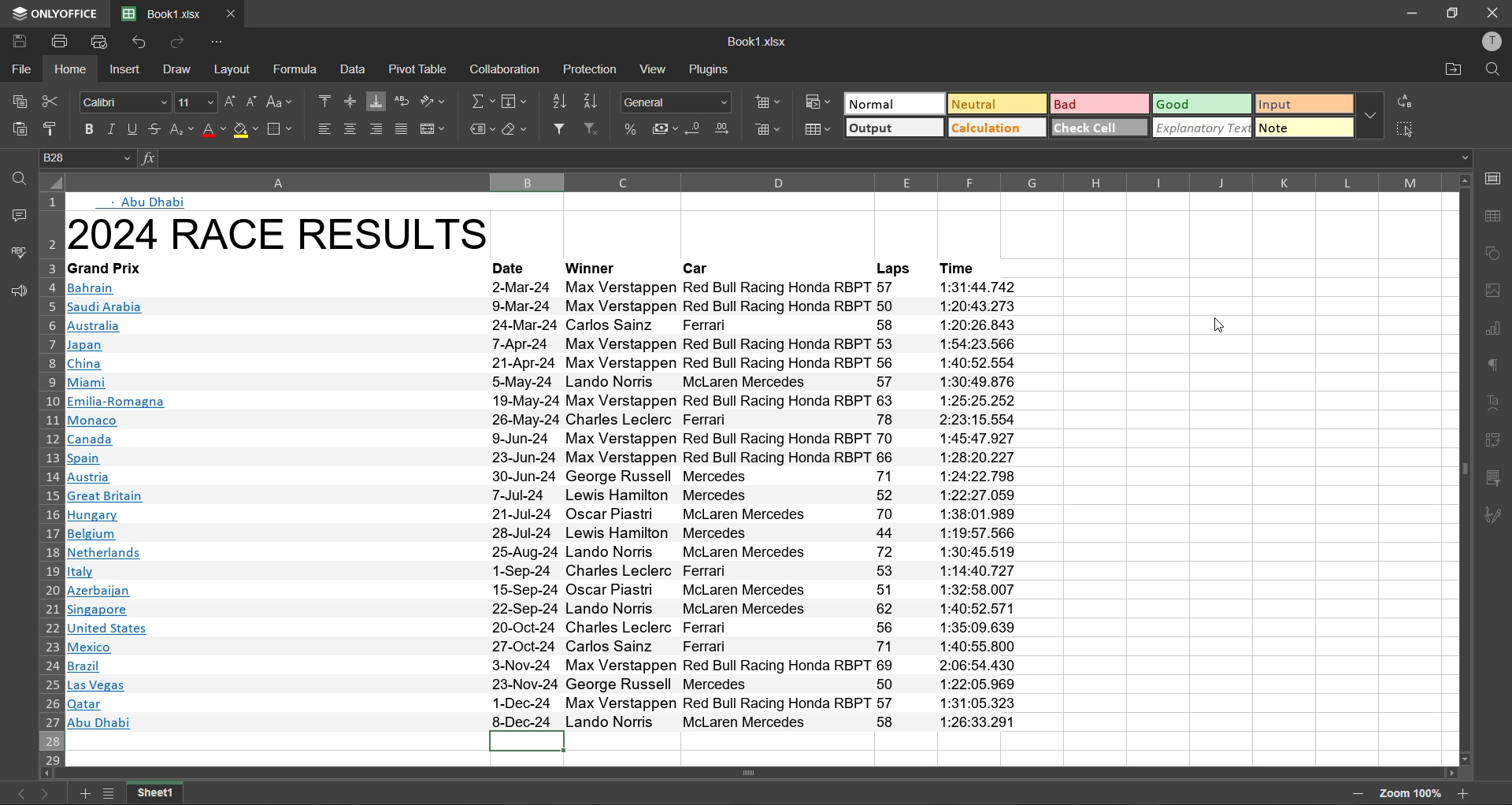 This screenshot has width=1512, height=805. I want to click on next, so click(46, 794).